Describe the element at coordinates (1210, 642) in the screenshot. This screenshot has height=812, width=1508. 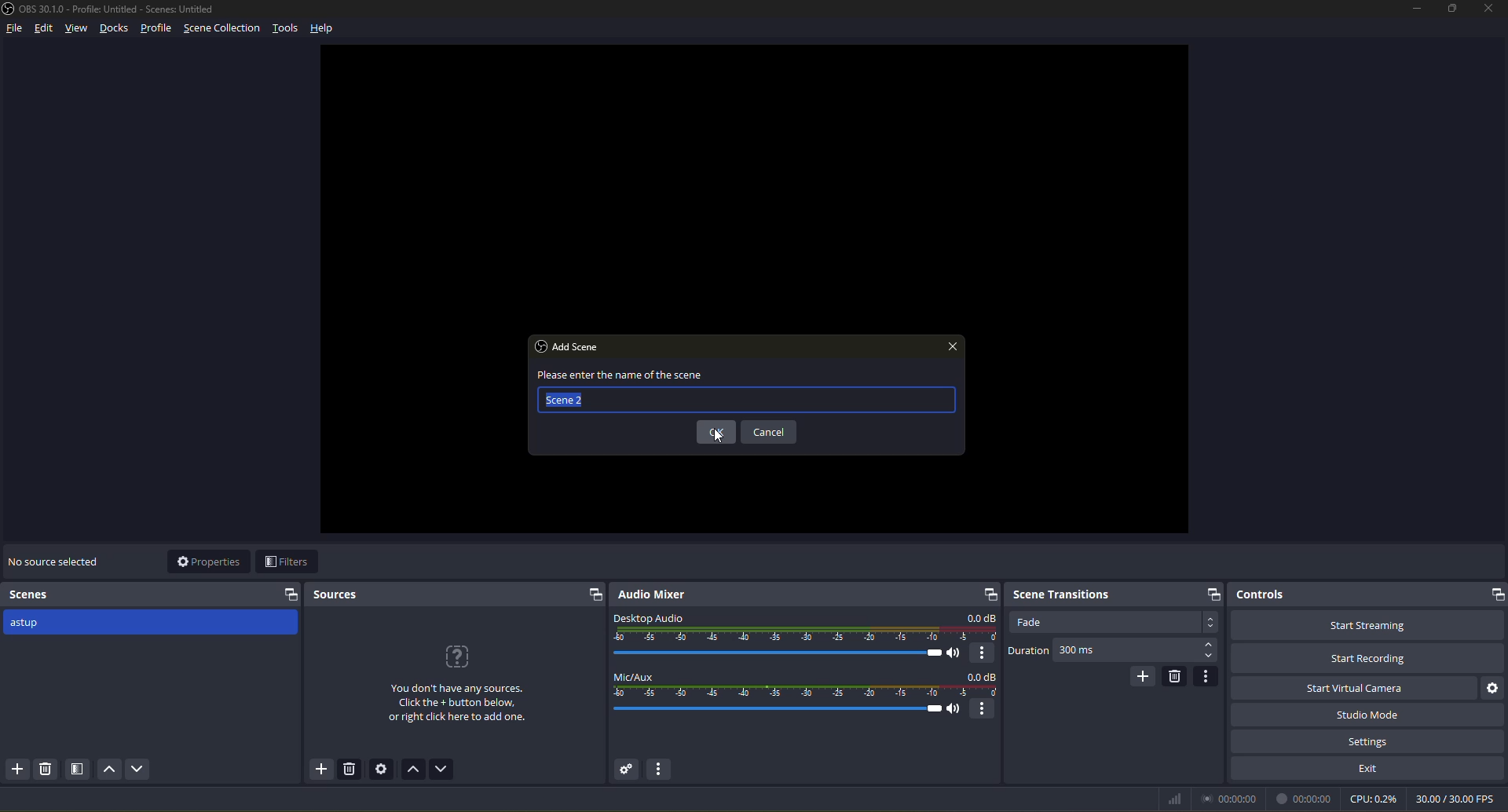
I see `select up` at that location.